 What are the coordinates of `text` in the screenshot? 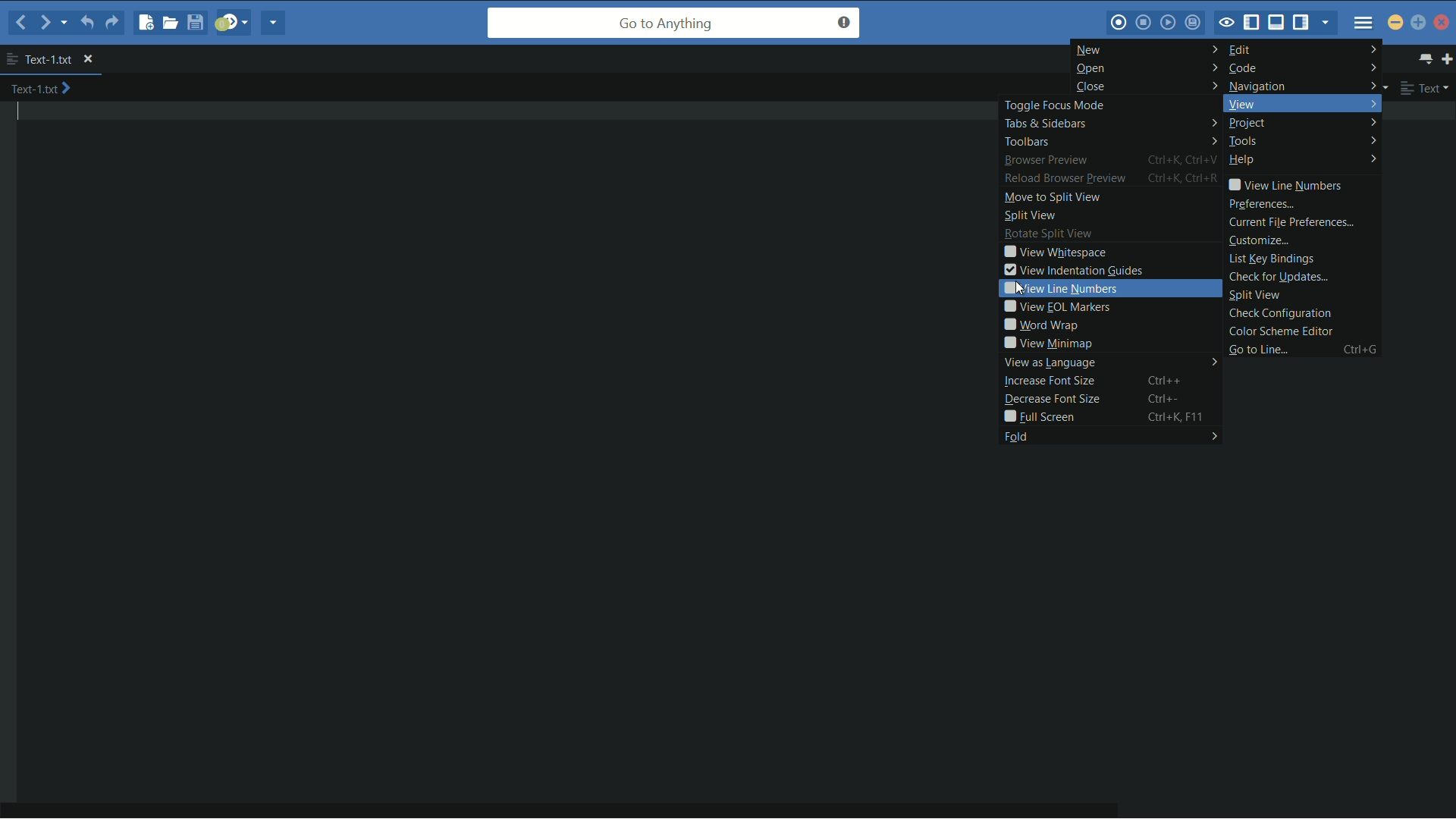 It's located at (1423, 89).